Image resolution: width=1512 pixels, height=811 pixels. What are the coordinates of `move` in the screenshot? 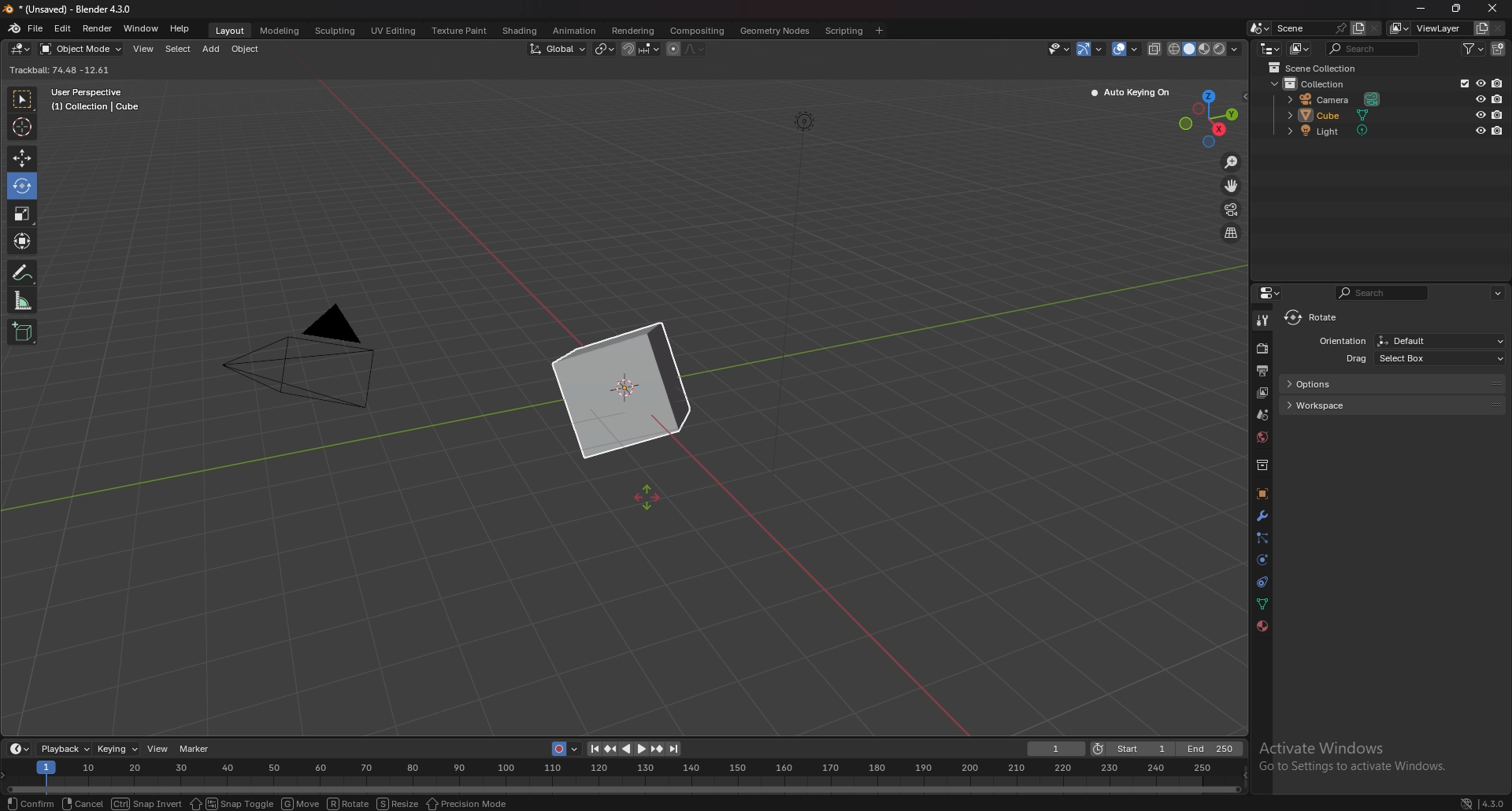 It's located at (301, 803).